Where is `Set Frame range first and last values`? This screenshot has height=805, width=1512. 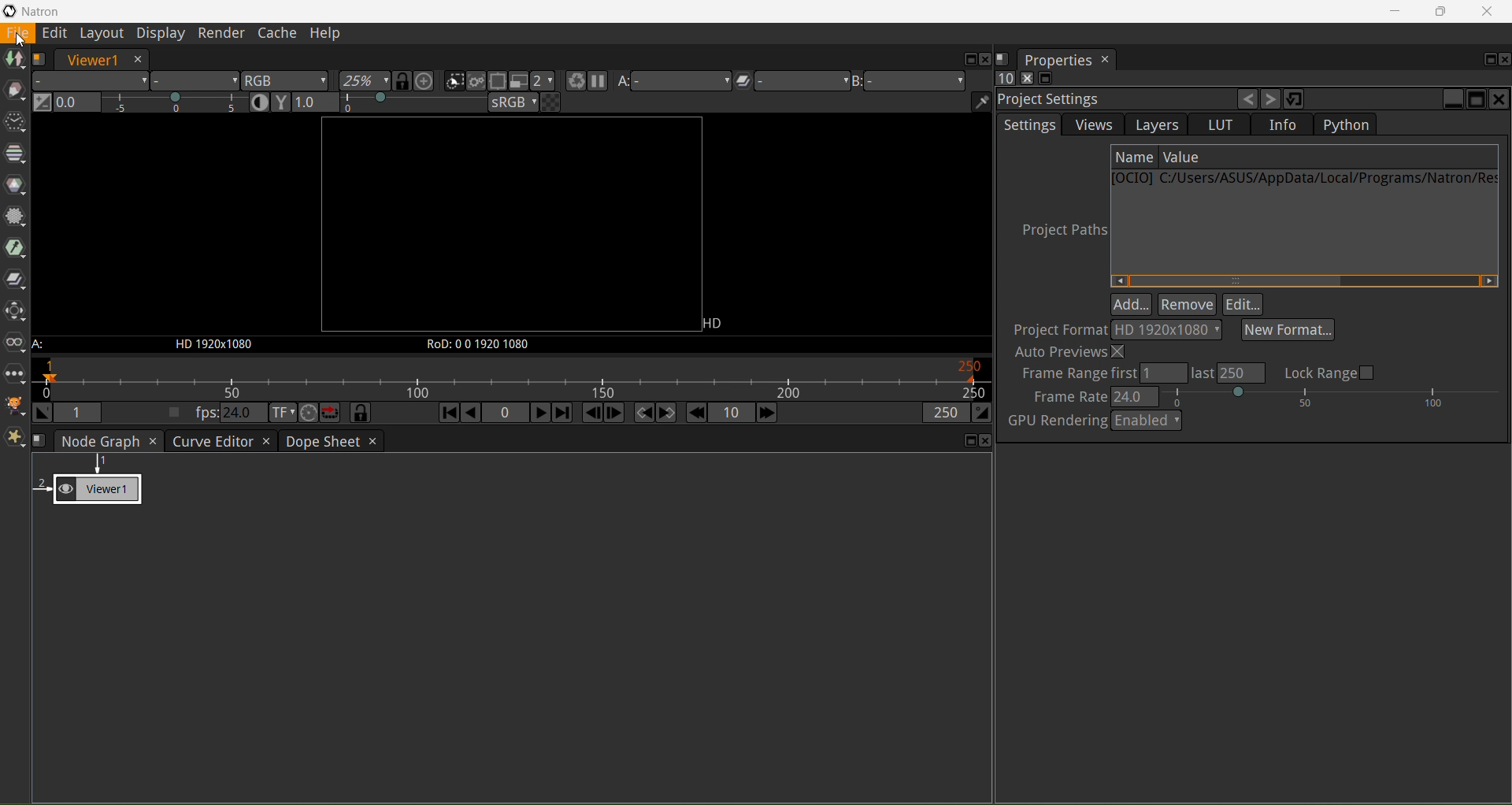 Set Frame range first and last values is located at coordinates (1141, 373).